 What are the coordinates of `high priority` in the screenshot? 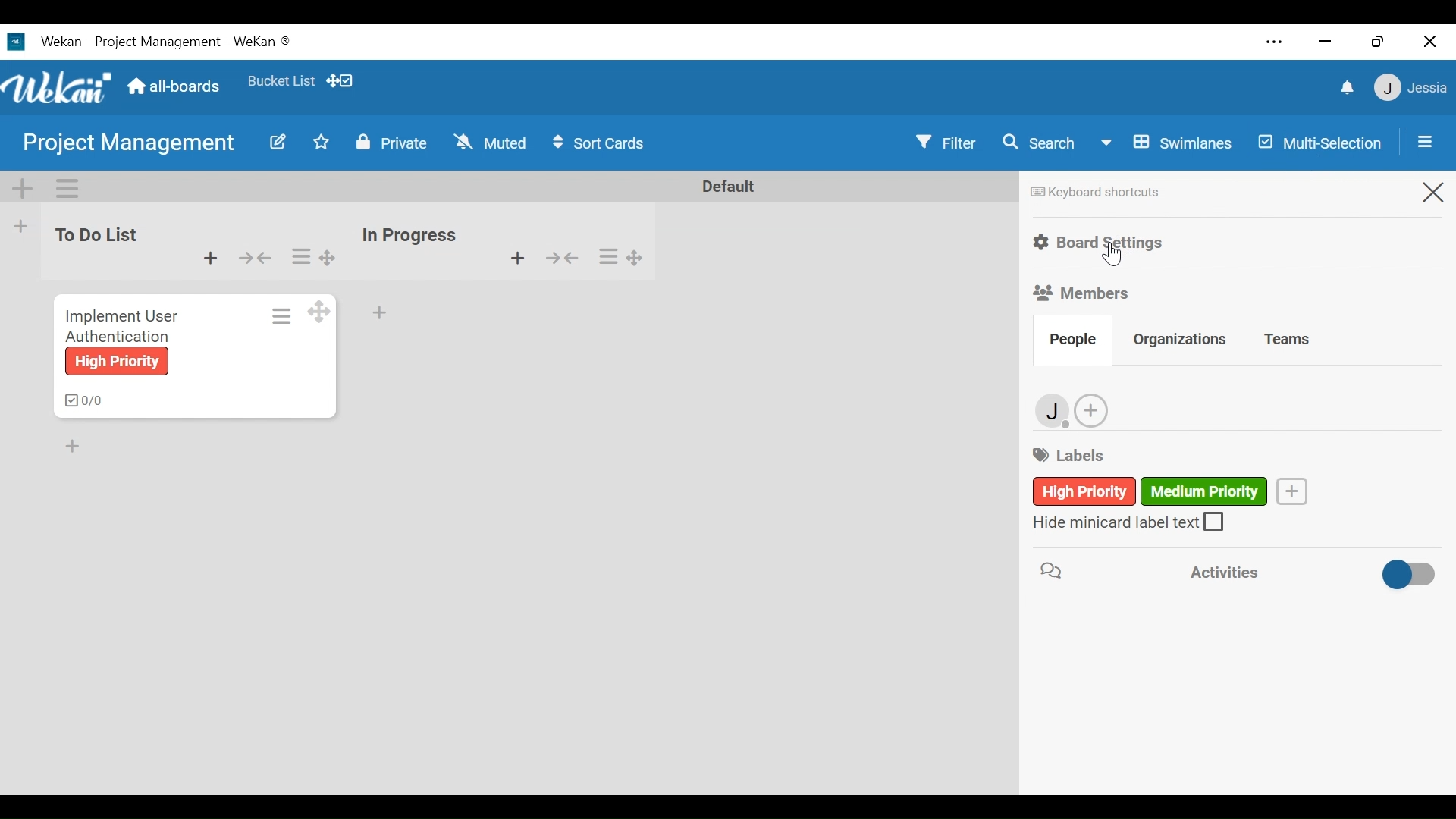 It's located at (115, 362).